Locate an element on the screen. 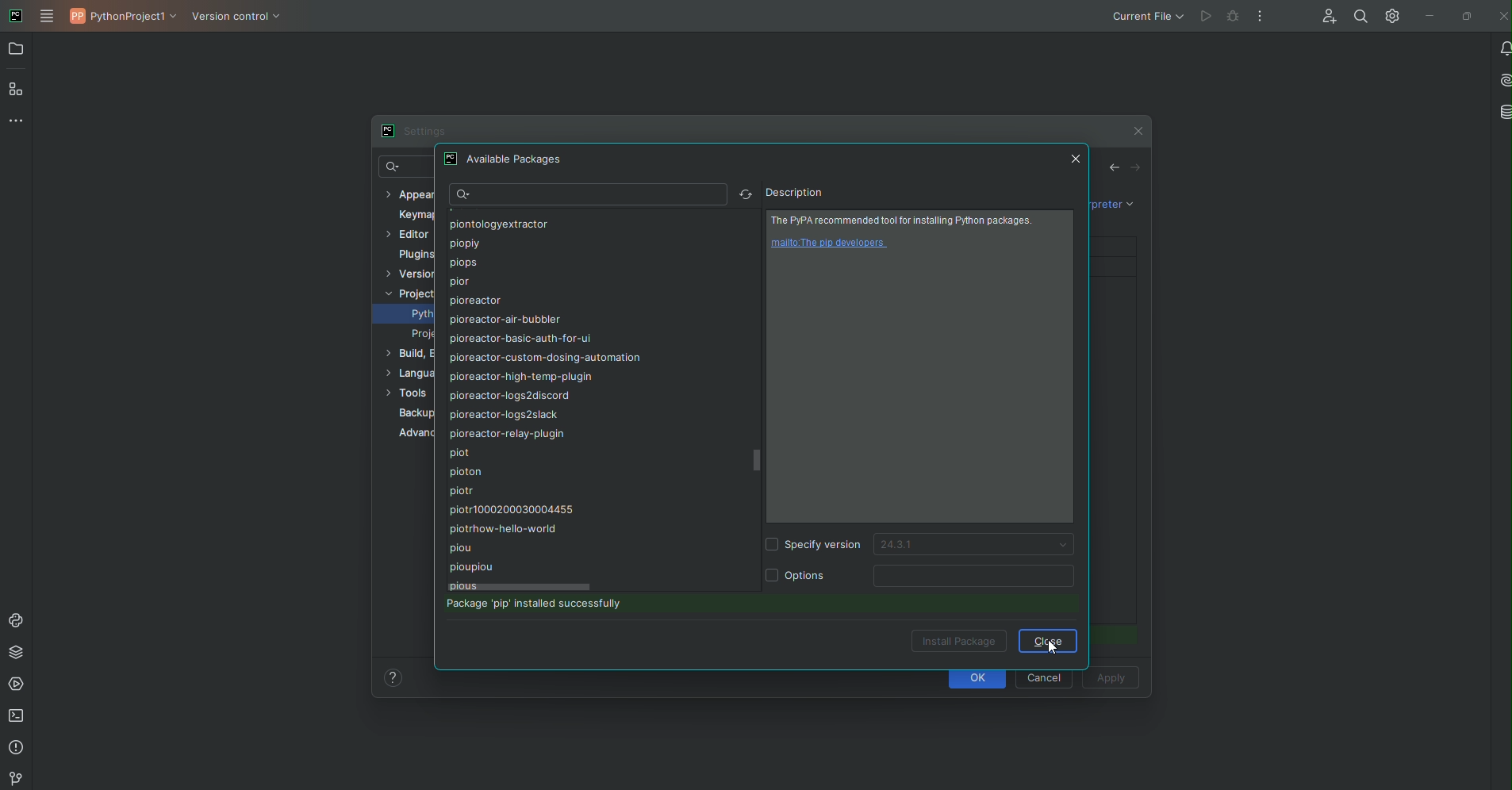 The image size is (1512, 790). Plugins is located at coordinates (413, 255).